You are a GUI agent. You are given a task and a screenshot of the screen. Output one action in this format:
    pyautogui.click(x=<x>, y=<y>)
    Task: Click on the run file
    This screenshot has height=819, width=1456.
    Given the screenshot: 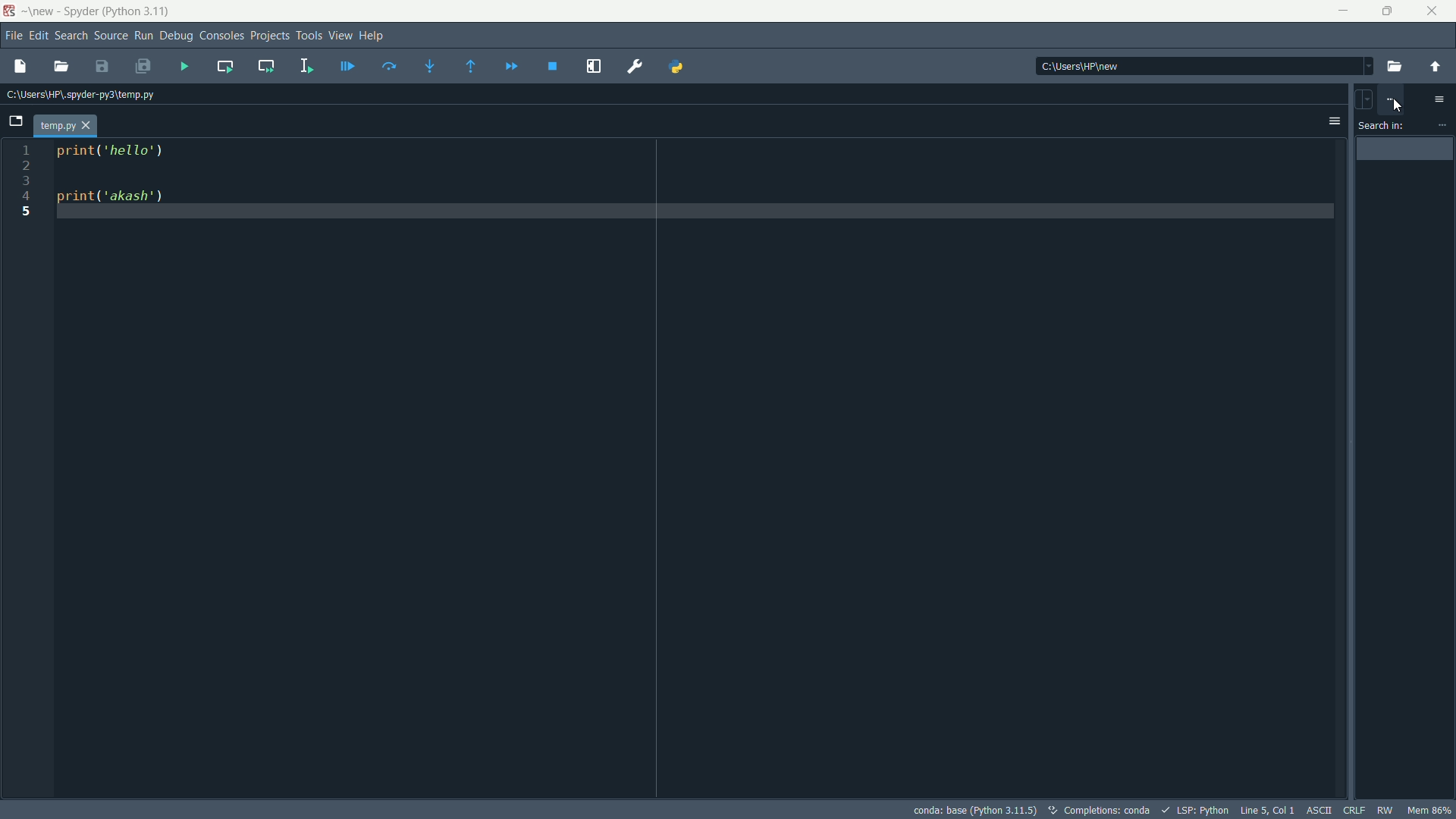 What is the action you would take?
    pyautogui.click(x=186, y=66)
    